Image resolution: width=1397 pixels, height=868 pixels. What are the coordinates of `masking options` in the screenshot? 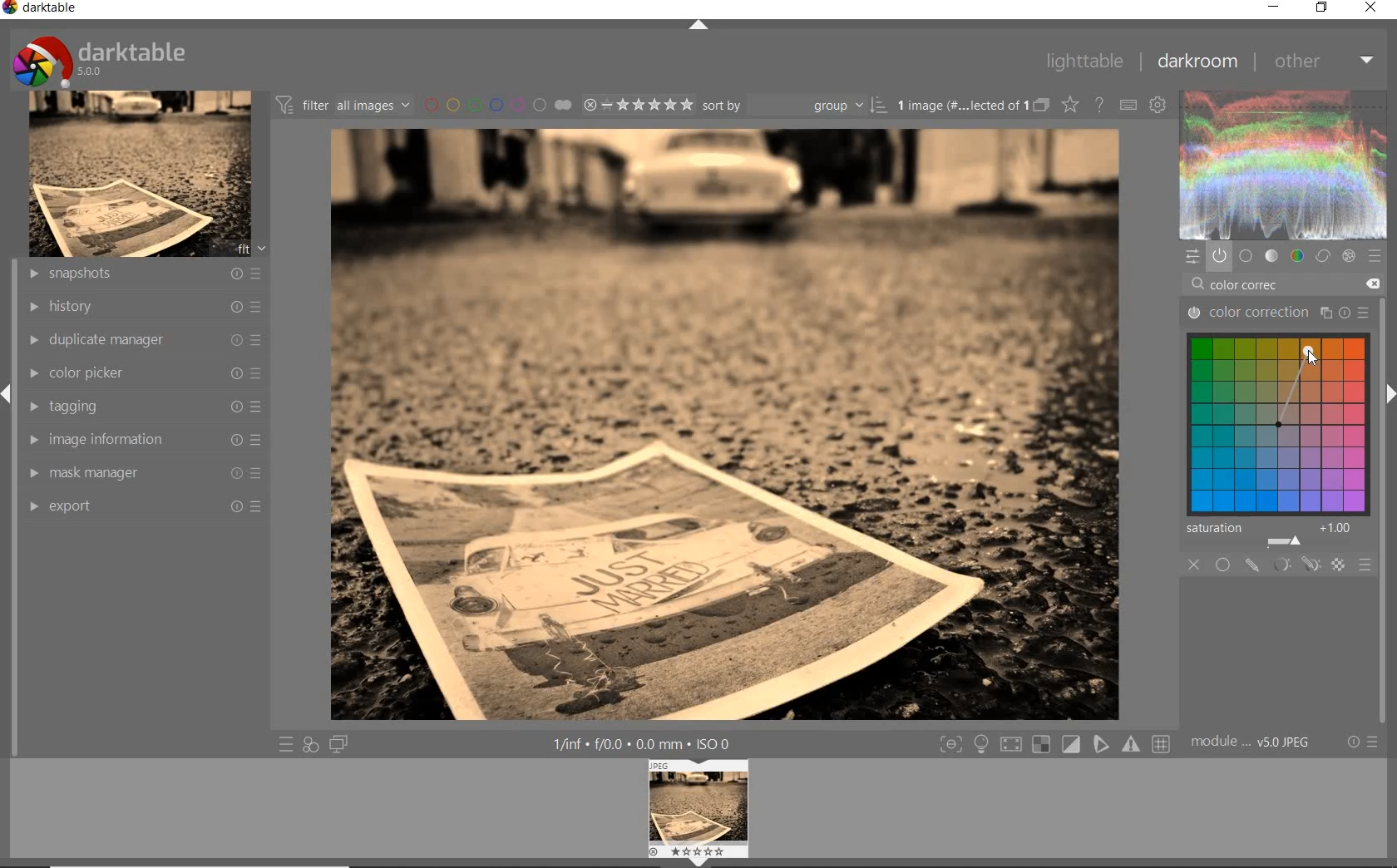 It's located at (1293, 565).